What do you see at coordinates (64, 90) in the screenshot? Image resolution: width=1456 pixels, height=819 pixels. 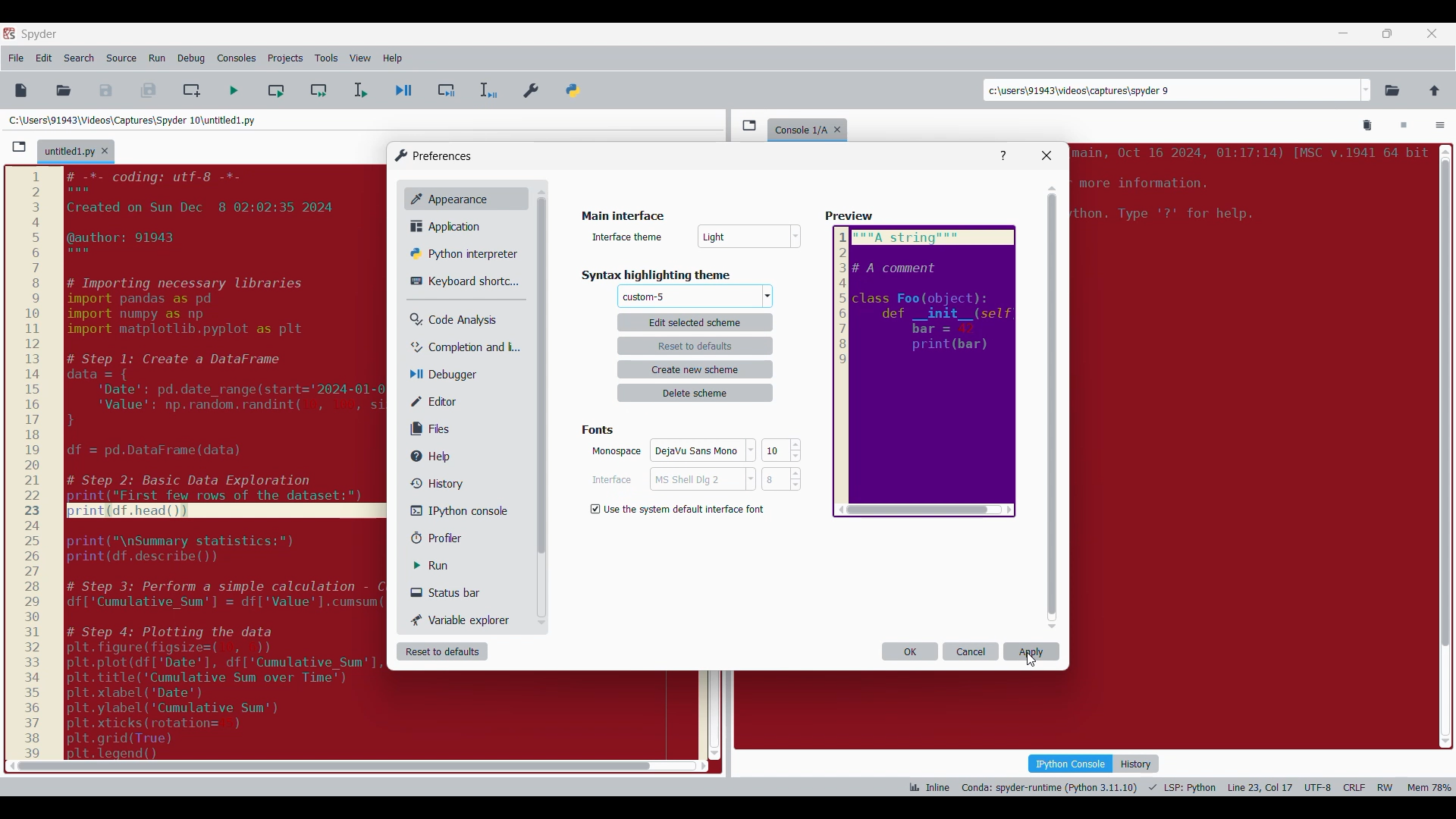 I see `Open` at bounding box center [64, 90].